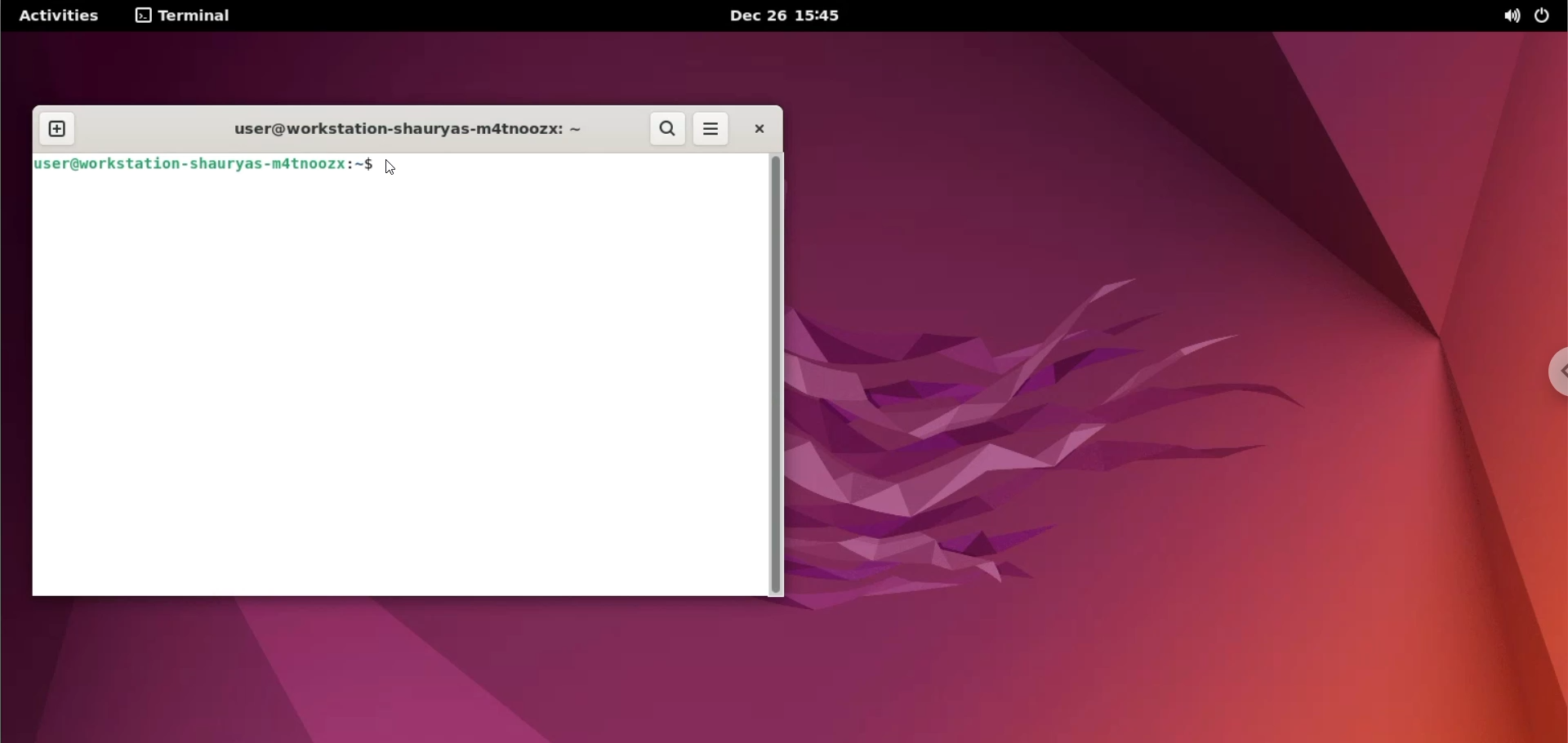  I want to click on Activities, so click(62, 16).